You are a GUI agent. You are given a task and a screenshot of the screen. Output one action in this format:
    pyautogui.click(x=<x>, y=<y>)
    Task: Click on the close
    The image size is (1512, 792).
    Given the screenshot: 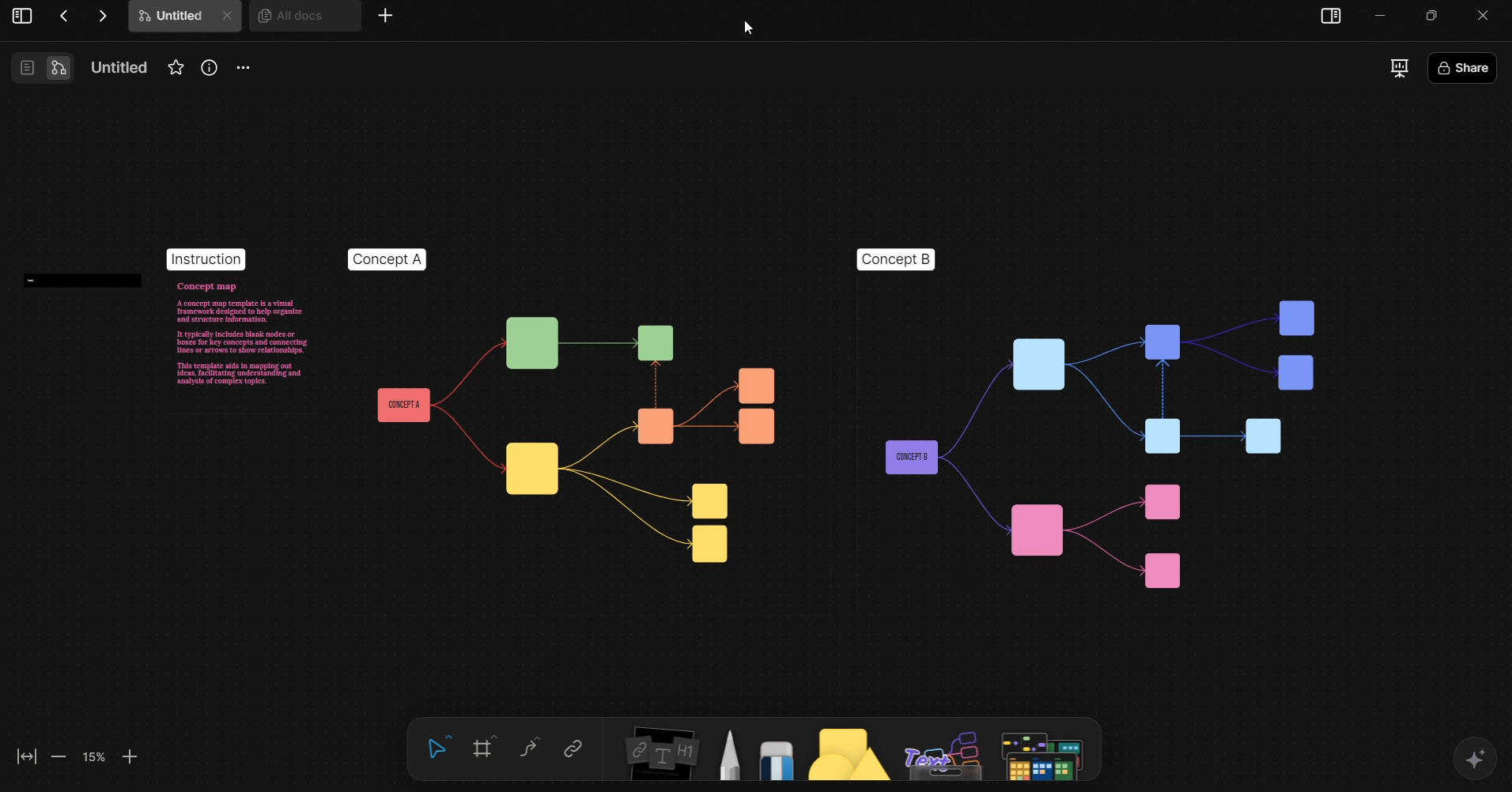 What is the action you would take?
    pyautogui.click(x=1491, y=13)
    